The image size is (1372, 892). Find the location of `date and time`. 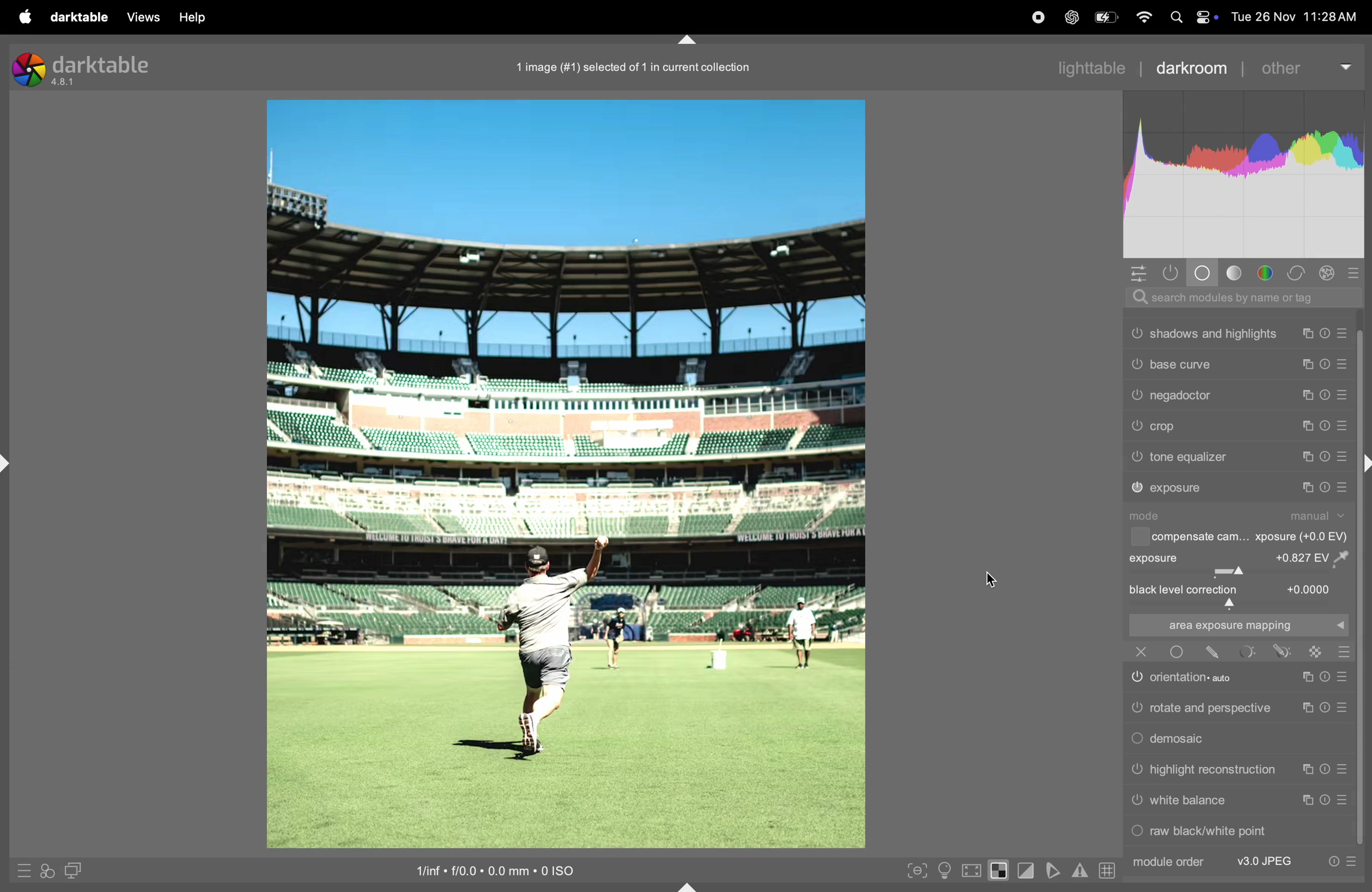

date and time is located at coordinates (1298, 16).